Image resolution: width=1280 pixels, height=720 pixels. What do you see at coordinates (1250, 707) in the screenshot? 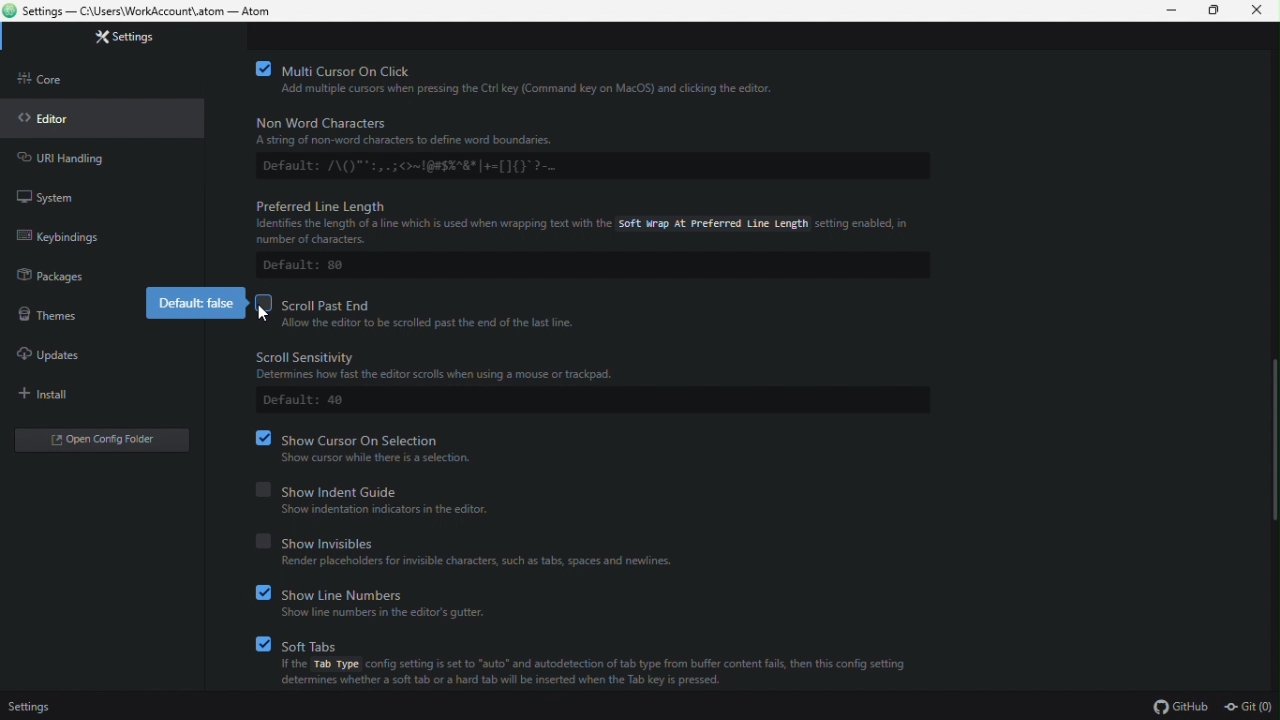
I see `git` at bounding box center [1250, 707].